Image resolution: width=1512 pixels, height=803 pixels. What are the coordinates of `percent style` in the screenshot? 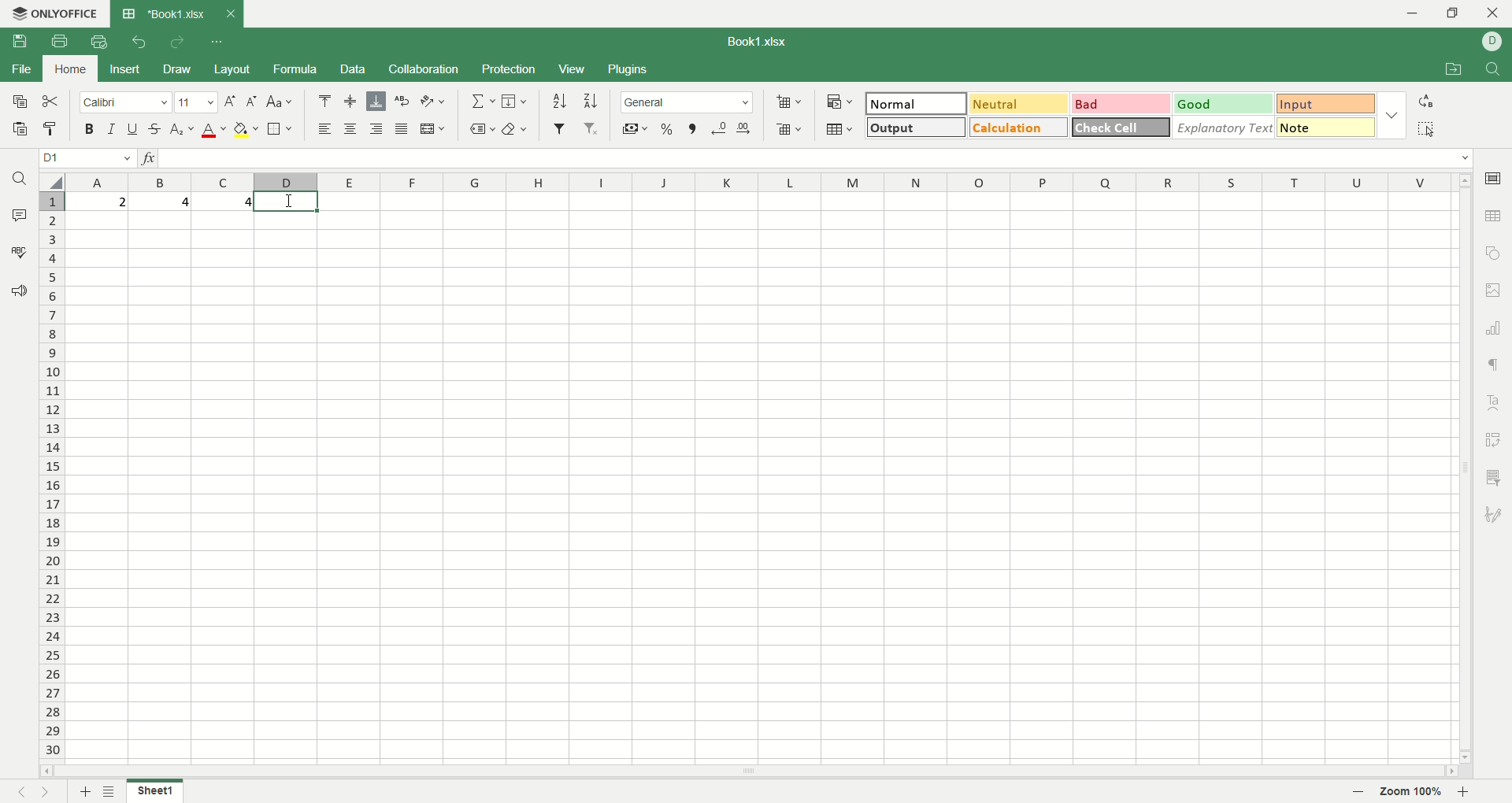 It's located at (669, 128).